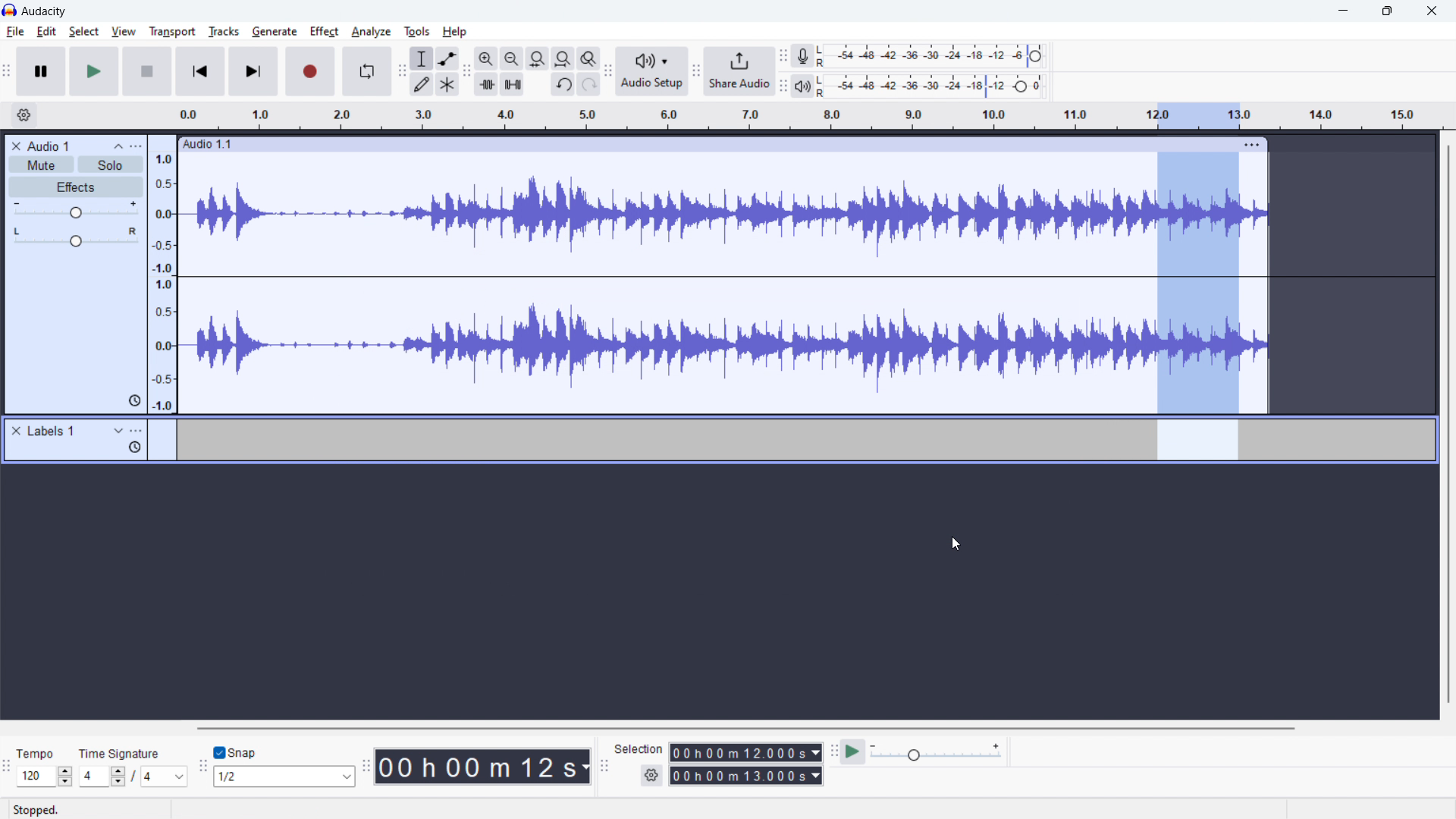 The width and height of the screenshot is (1456, 819). Describe the element at coordinates (124, 31) in the screenshot. I see `view` at that location.